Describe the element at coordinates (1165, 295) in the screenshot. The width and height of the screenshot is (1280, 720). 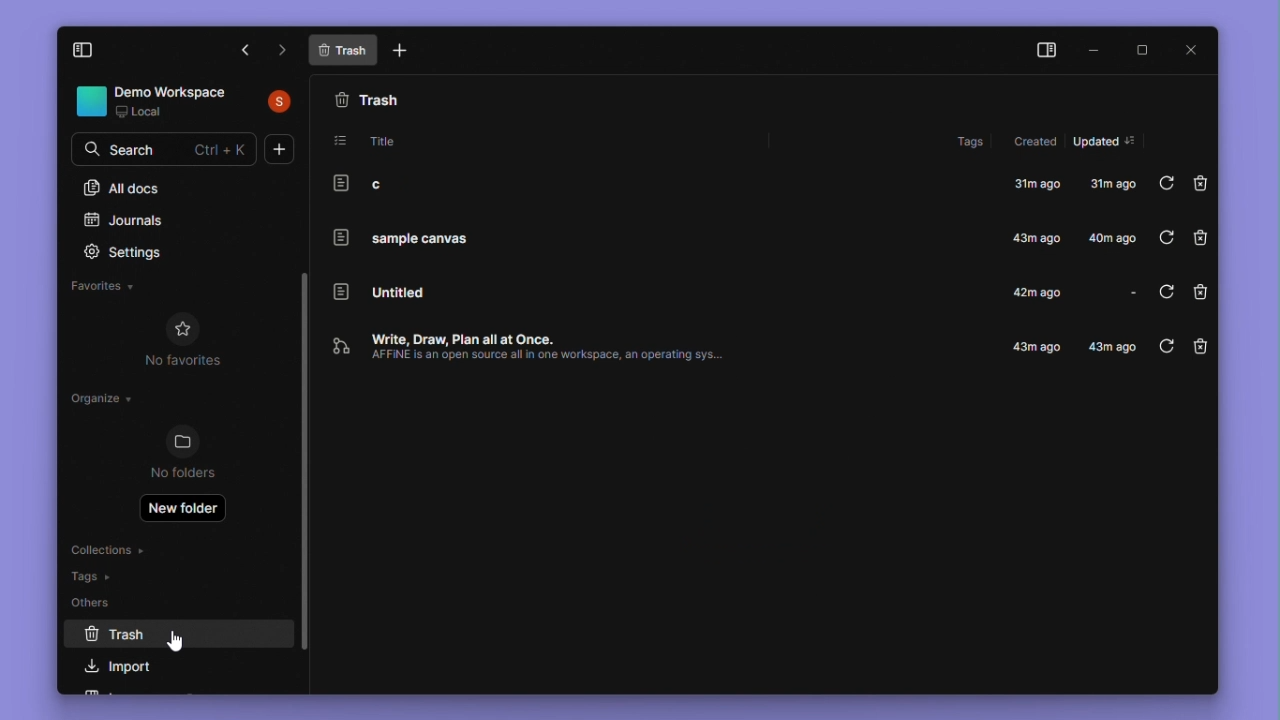
I see `restore` at that location.